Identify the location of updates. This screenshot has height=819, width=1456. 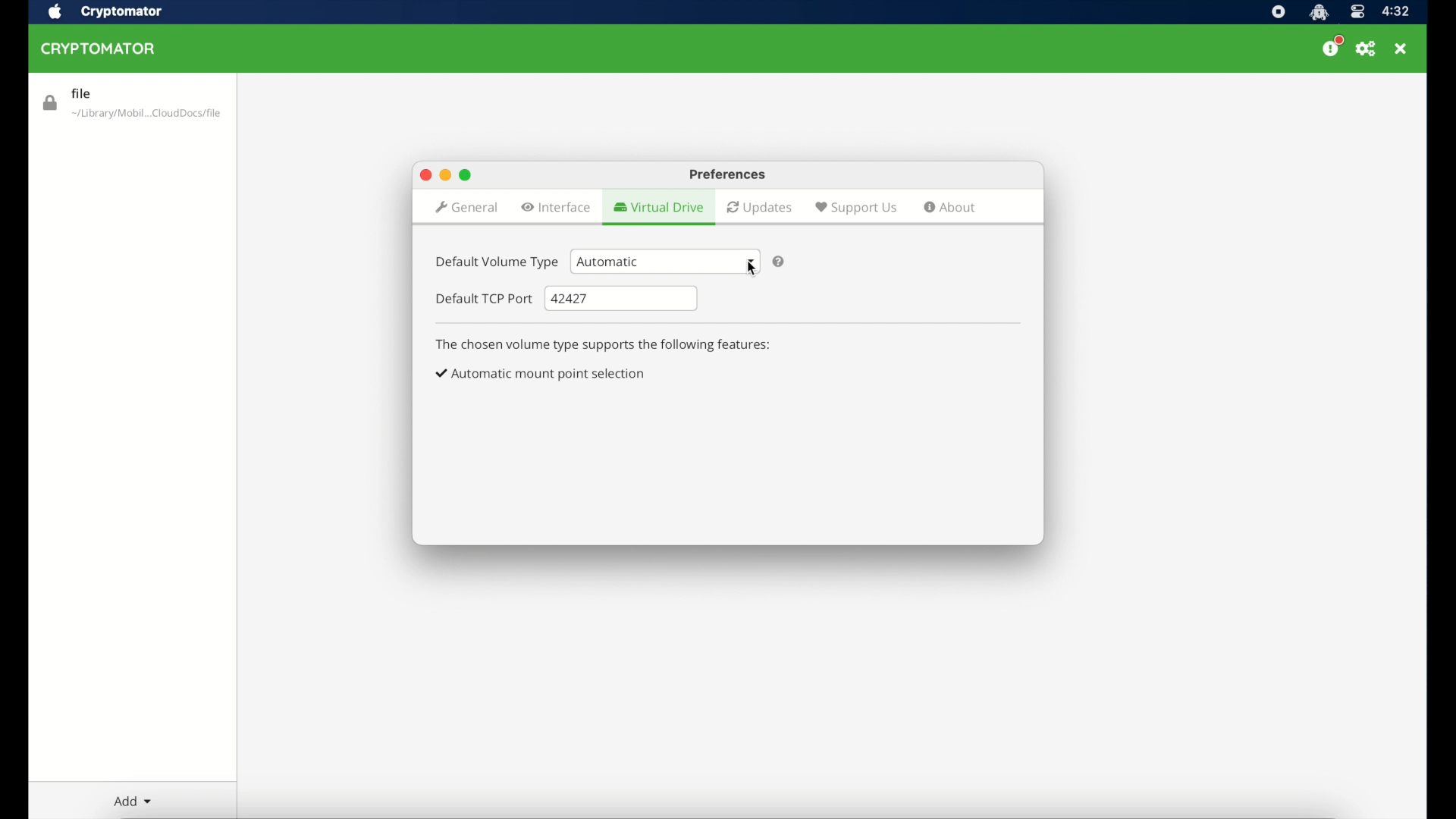
(760, 208).